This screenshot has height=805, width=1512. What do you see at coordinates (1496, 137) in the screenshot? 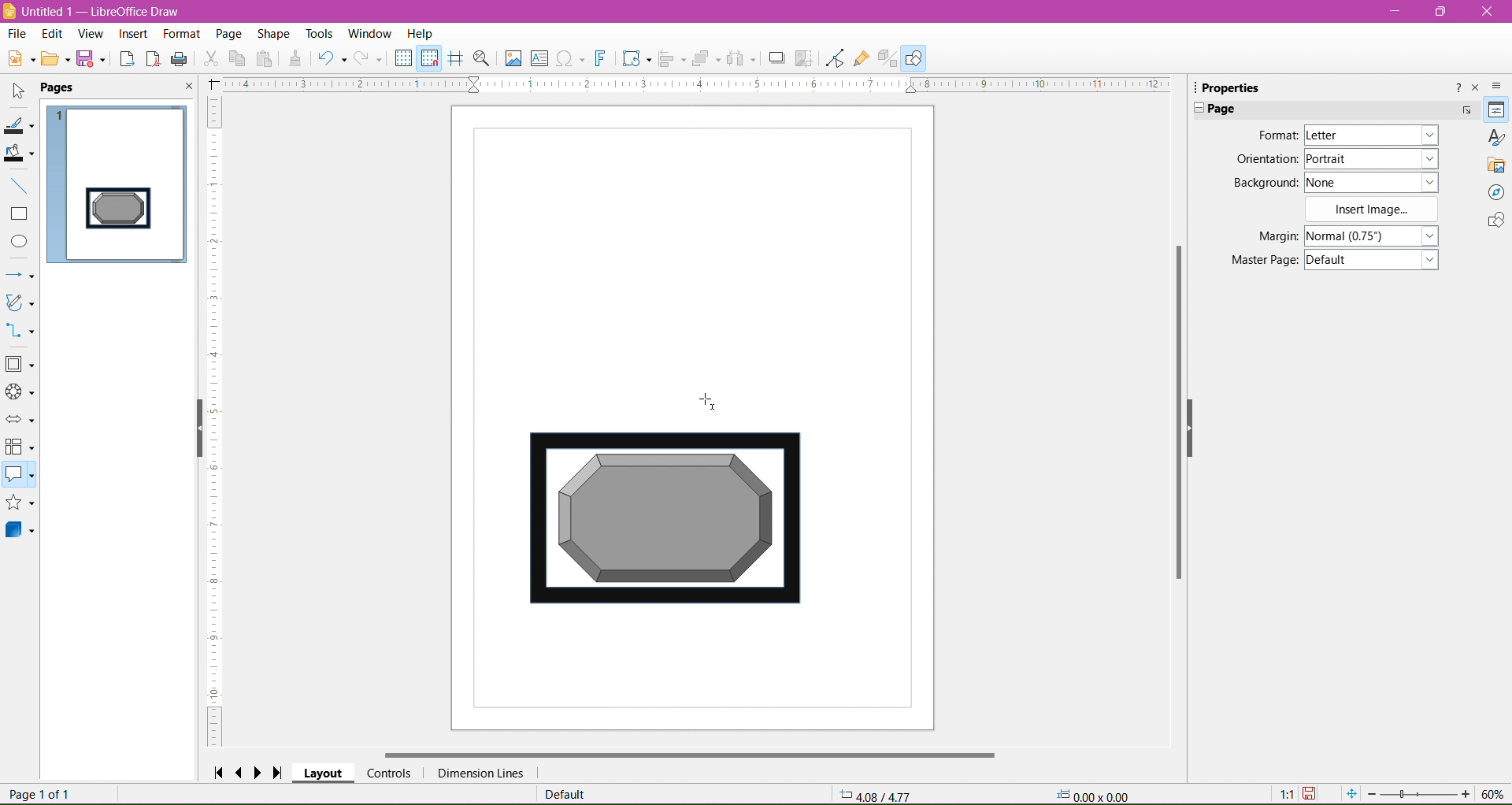
I see `Styles` at bounding box center [1496, 137].